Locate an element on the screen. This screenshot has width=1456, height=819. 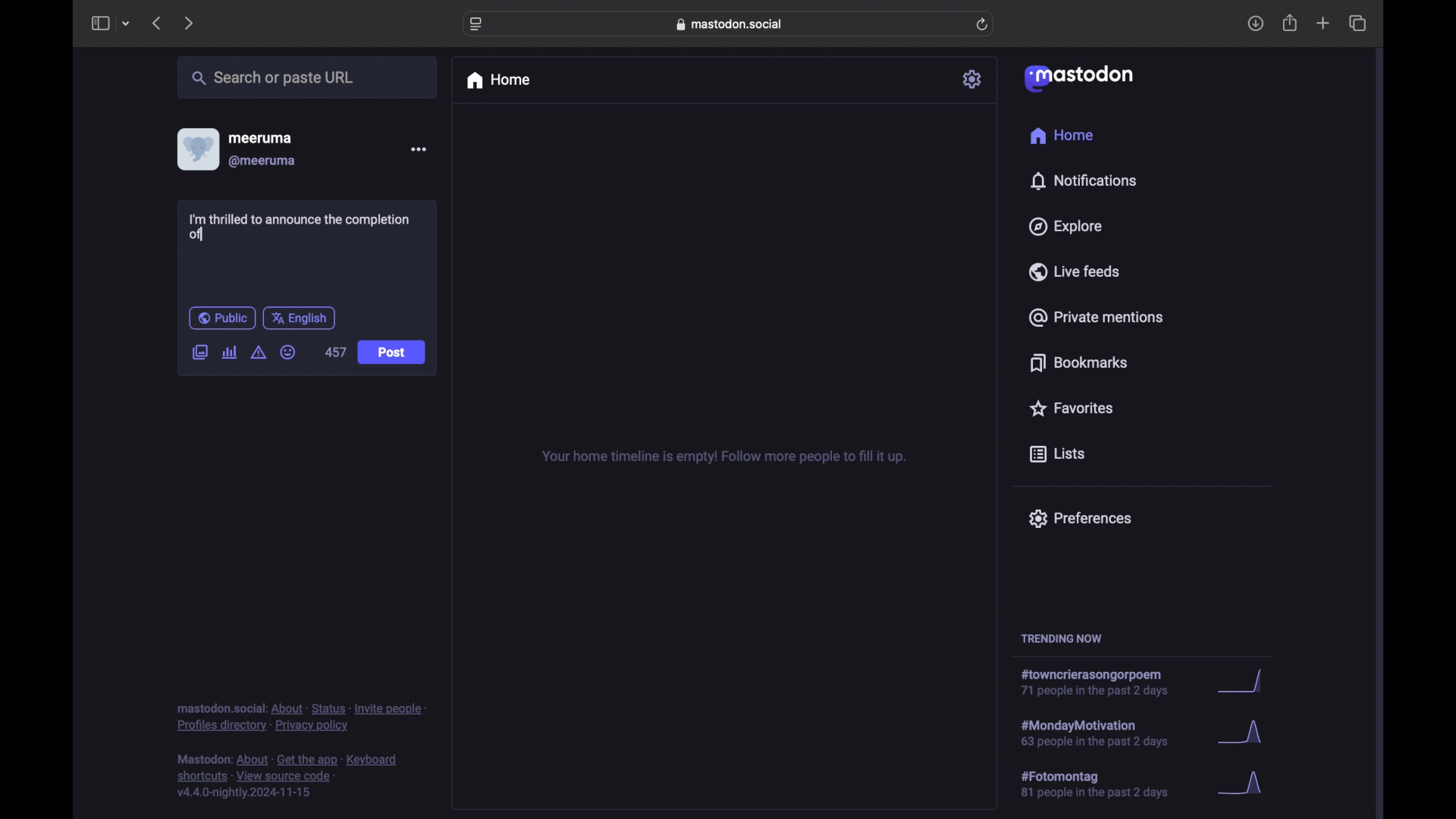
website settings is located at coordinates (476, 25).